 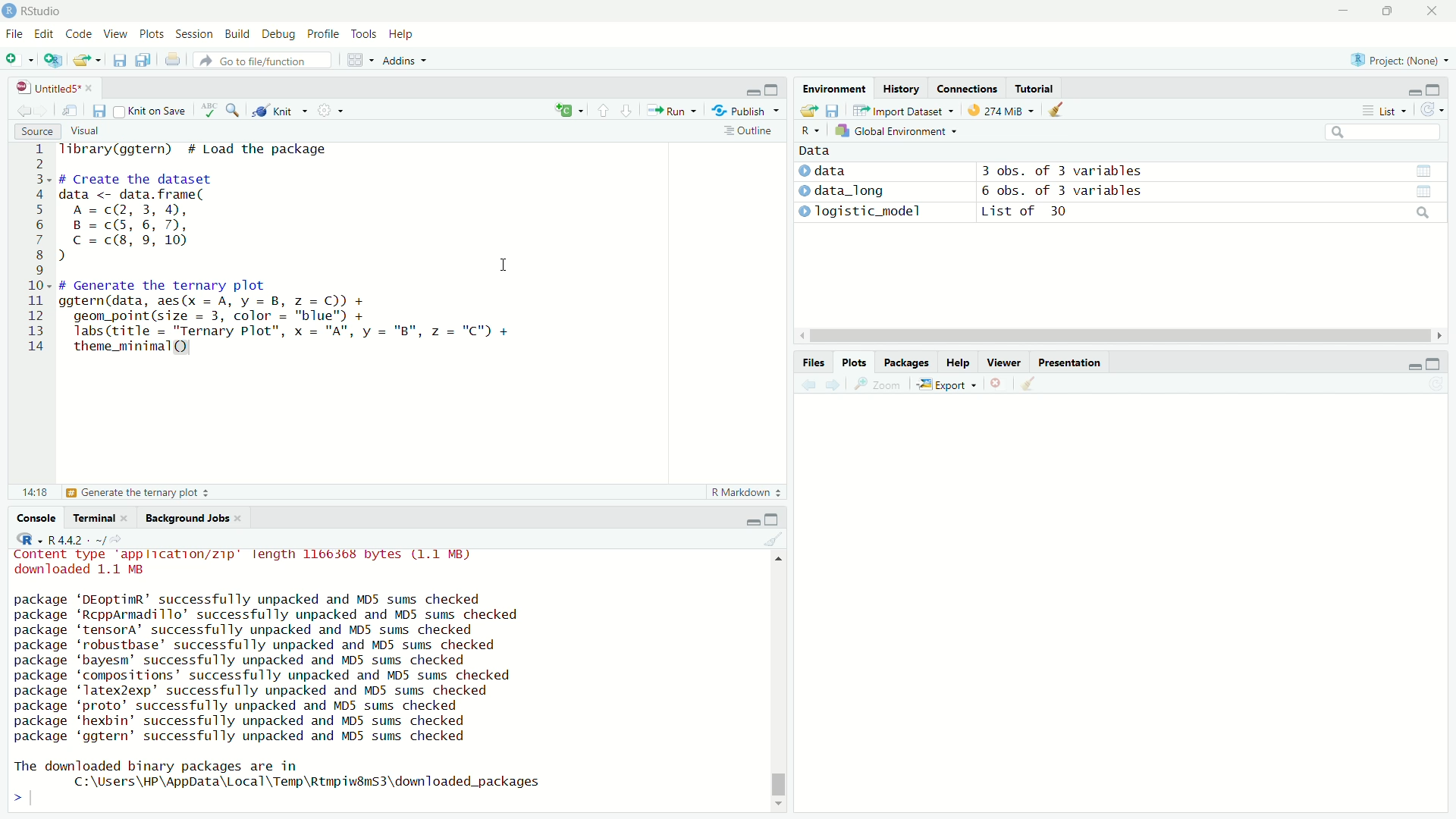 I want to click on save, so click(x=99, y=111).